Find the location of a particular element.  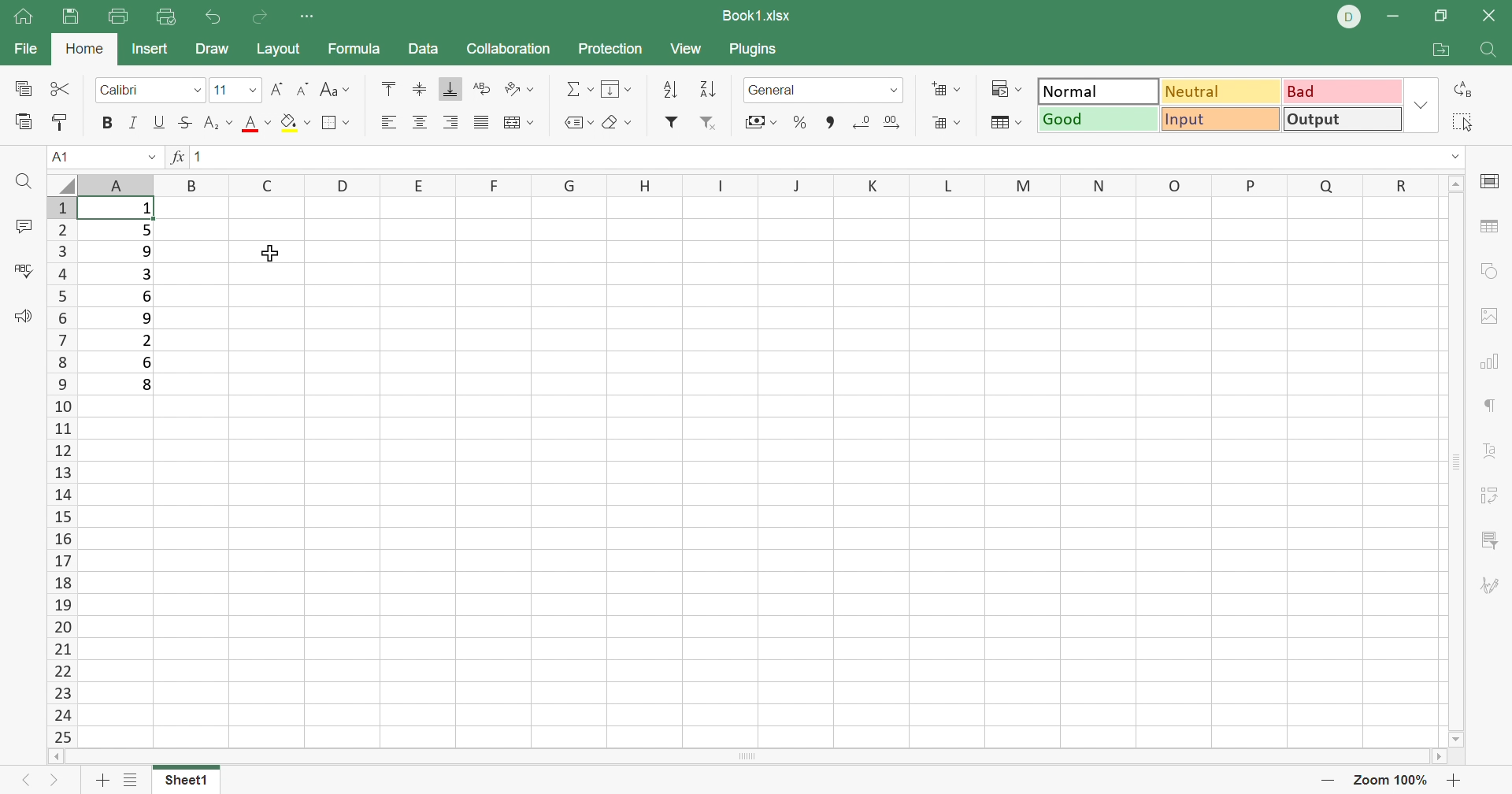

Subscript is located at coordinates (216, 124).